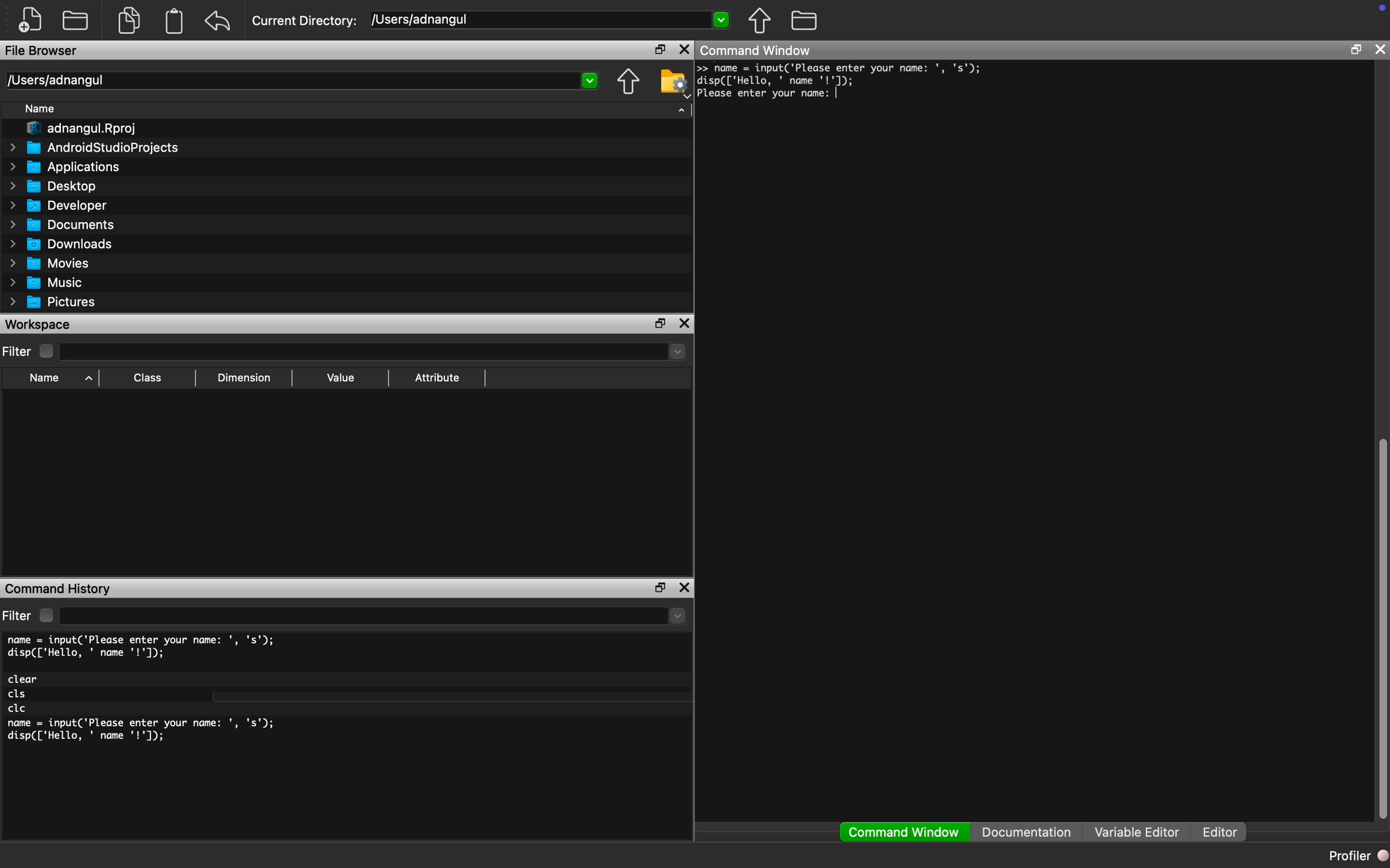 The image size is (1390, 868). What do you see at coordinates (218, 21) in the screenshot?
I see `back` at bounding box center [218, 21].